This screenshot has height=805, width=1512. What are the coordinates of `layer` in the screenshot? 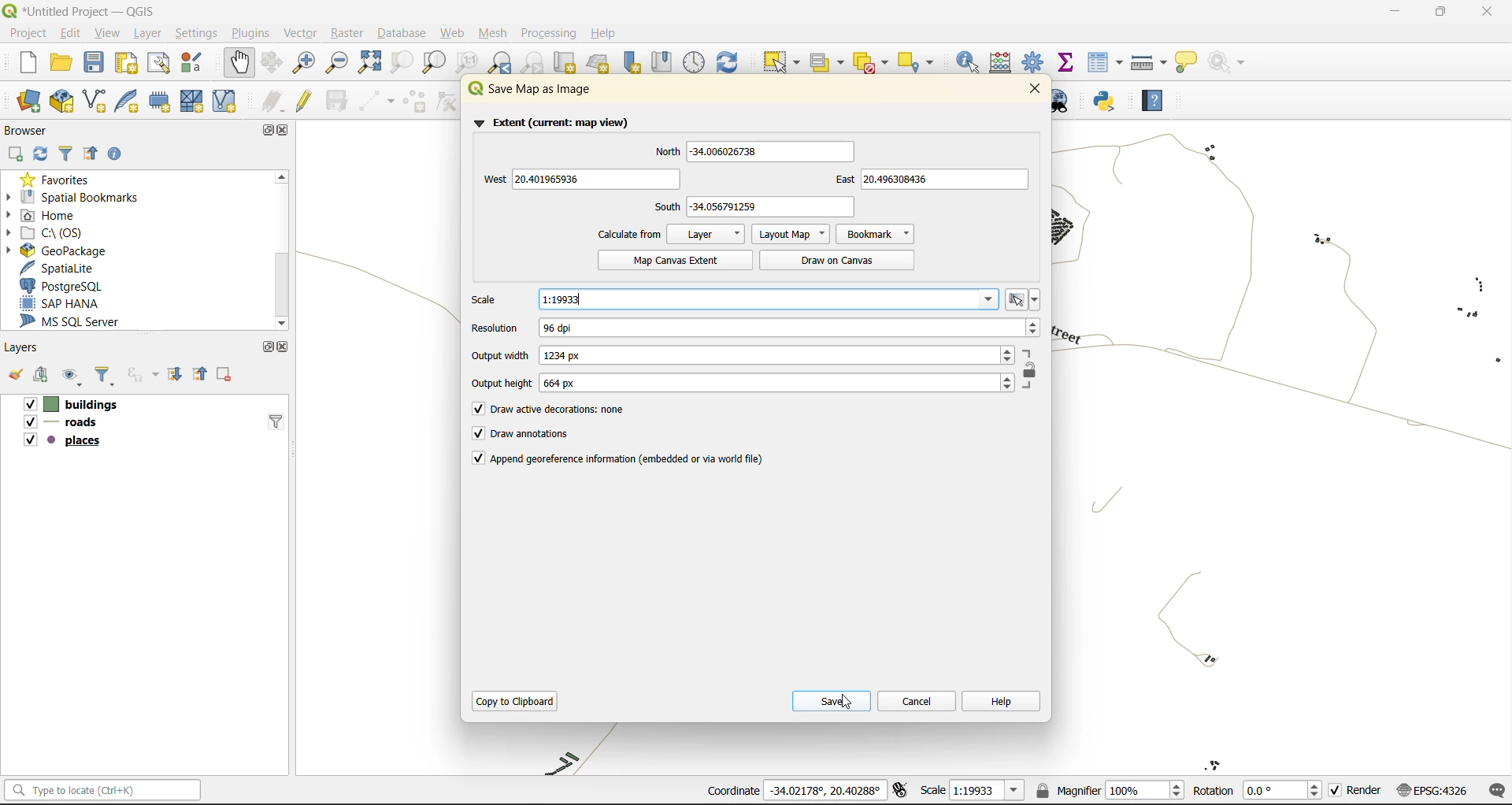 It's located at (148, 32).